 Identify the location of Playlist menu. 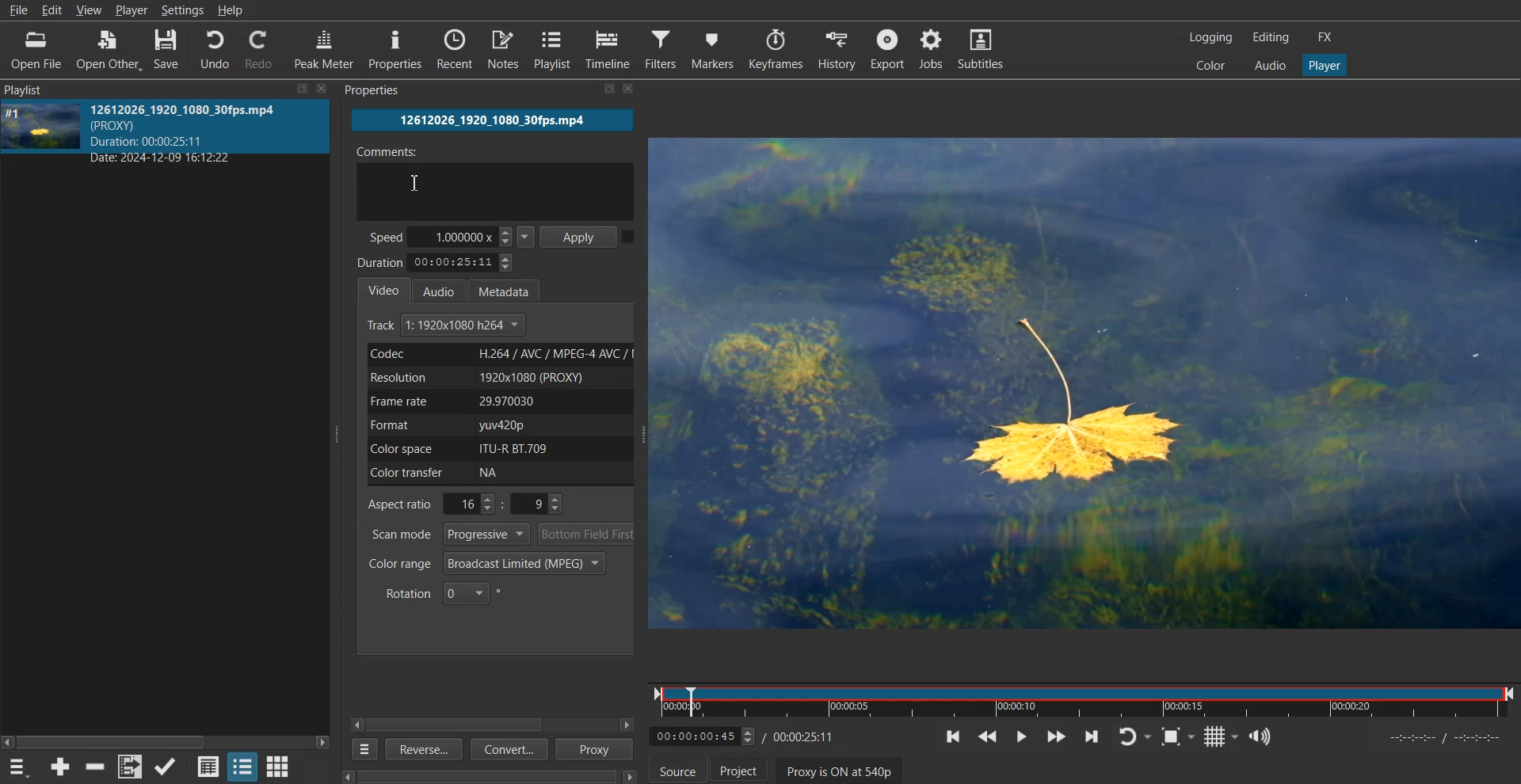
(21, 767).